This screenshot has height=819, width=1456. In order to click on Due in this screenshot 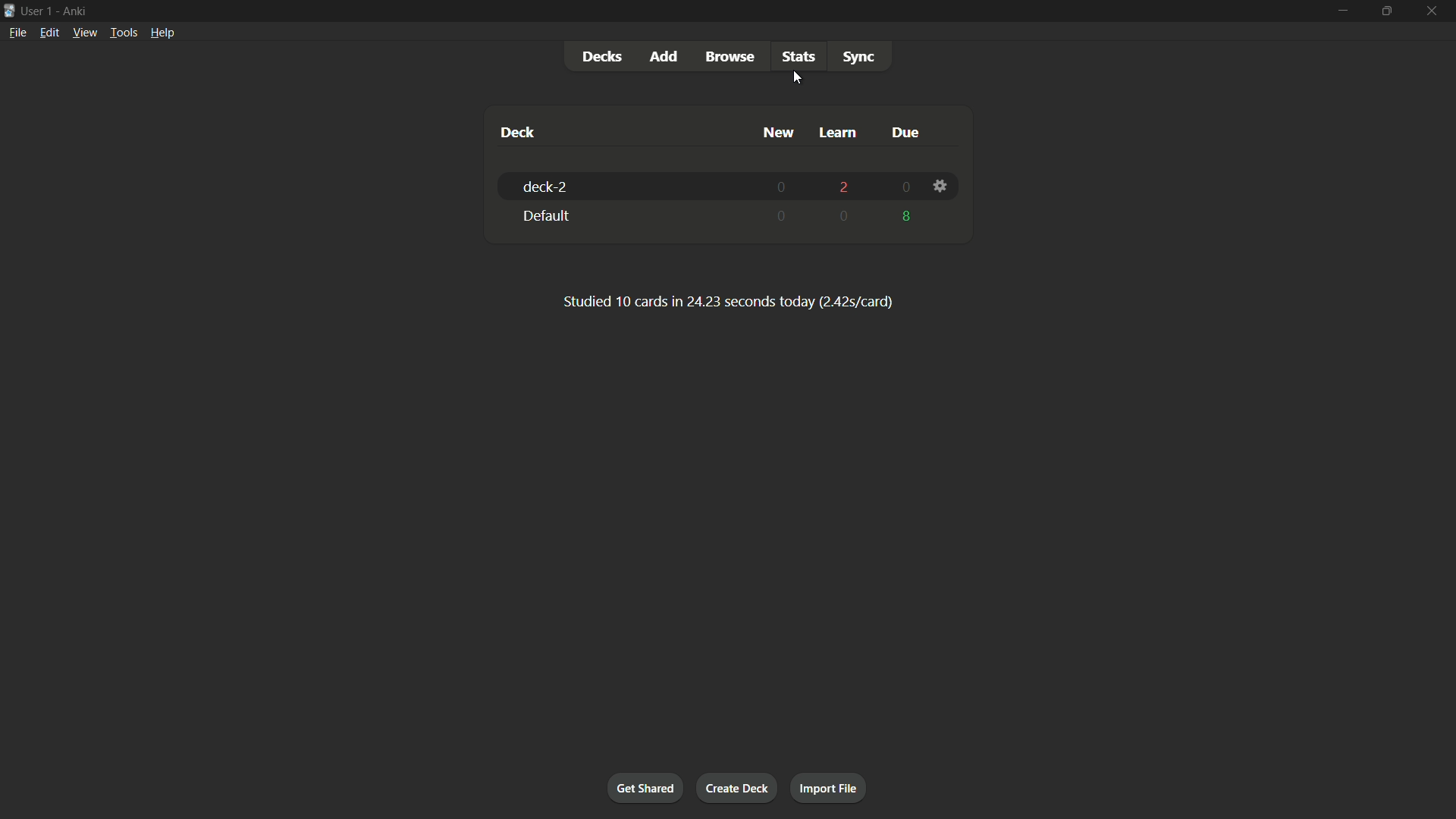, I will do `click(908, 130)`.